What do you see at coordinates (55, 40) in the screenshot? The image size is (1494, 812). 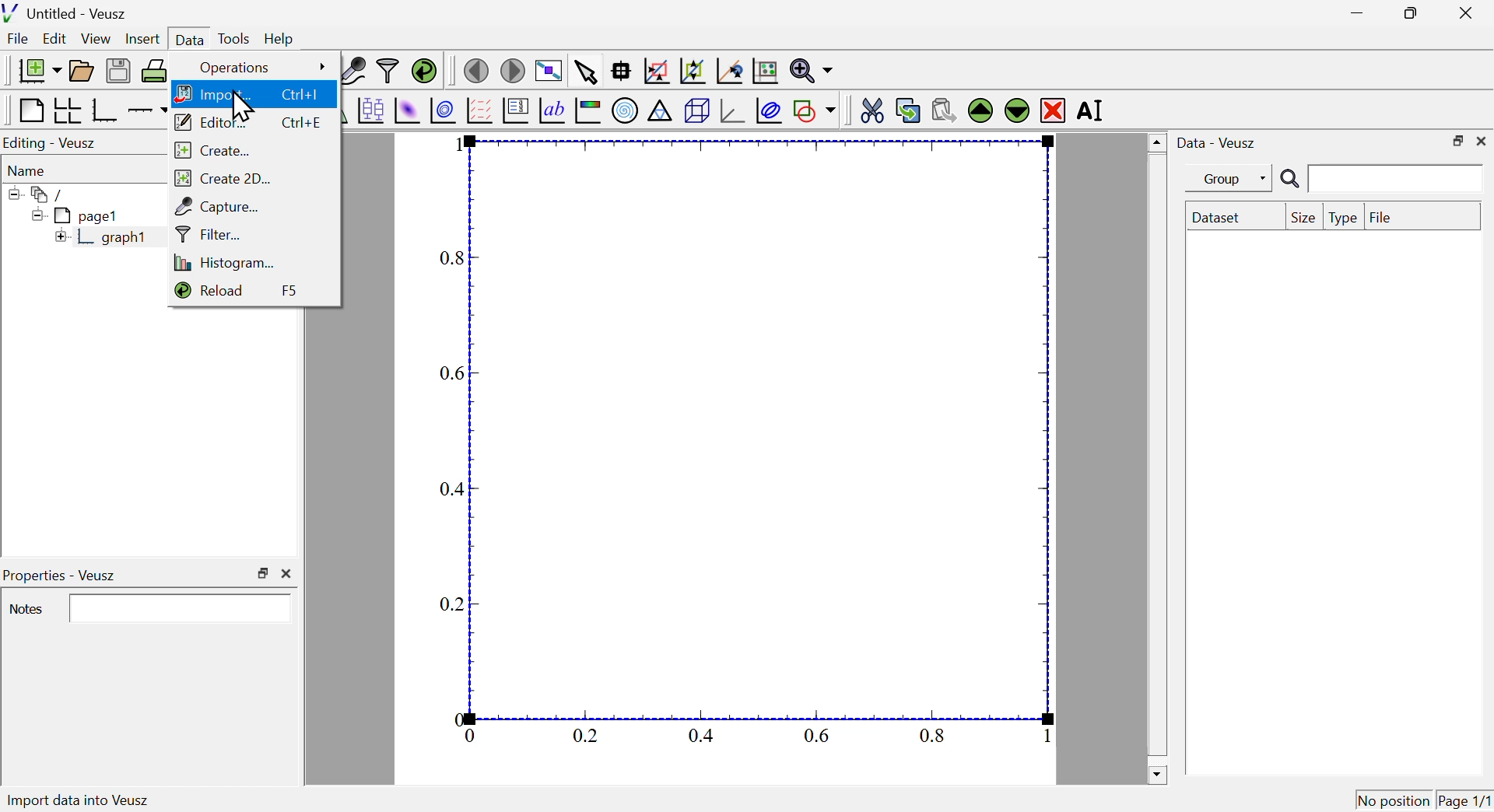 I see `Edit` at bounding box center [55, 40].